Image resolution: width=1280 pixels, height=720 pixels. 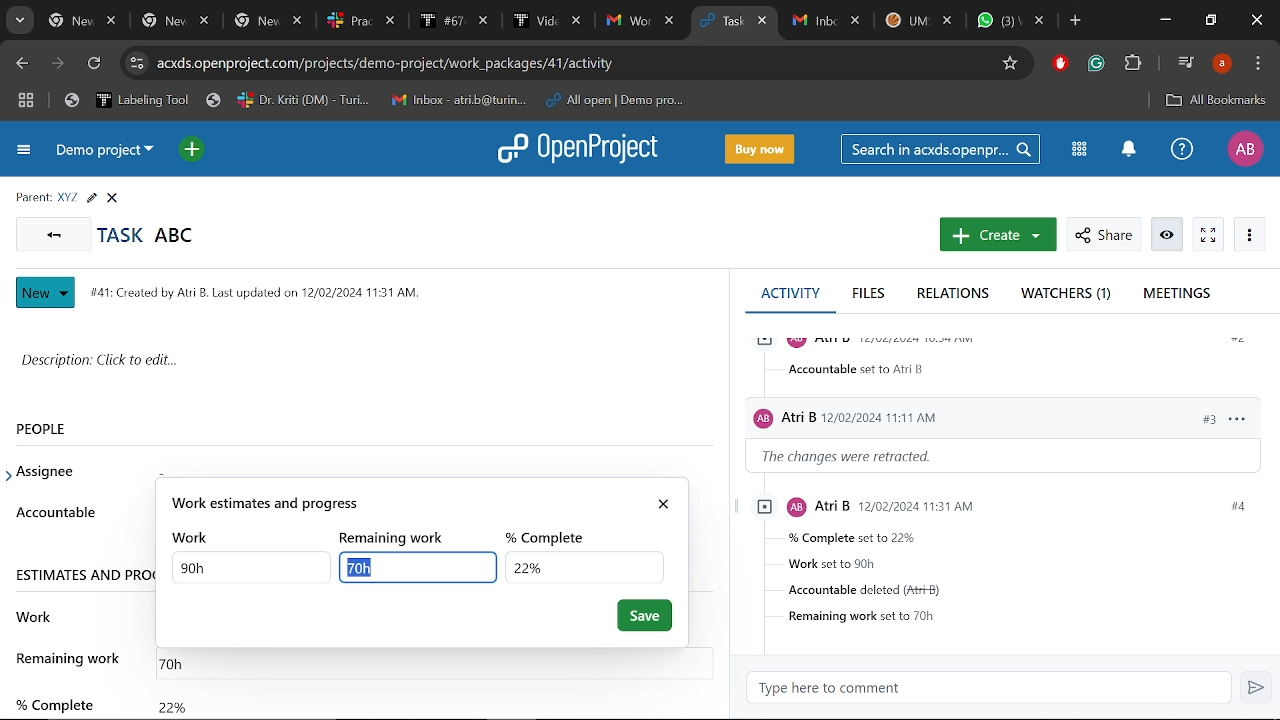 What do you see at coordinates (194, 537) in the screenshot?
I see `work` at bounding box center [194, 537].